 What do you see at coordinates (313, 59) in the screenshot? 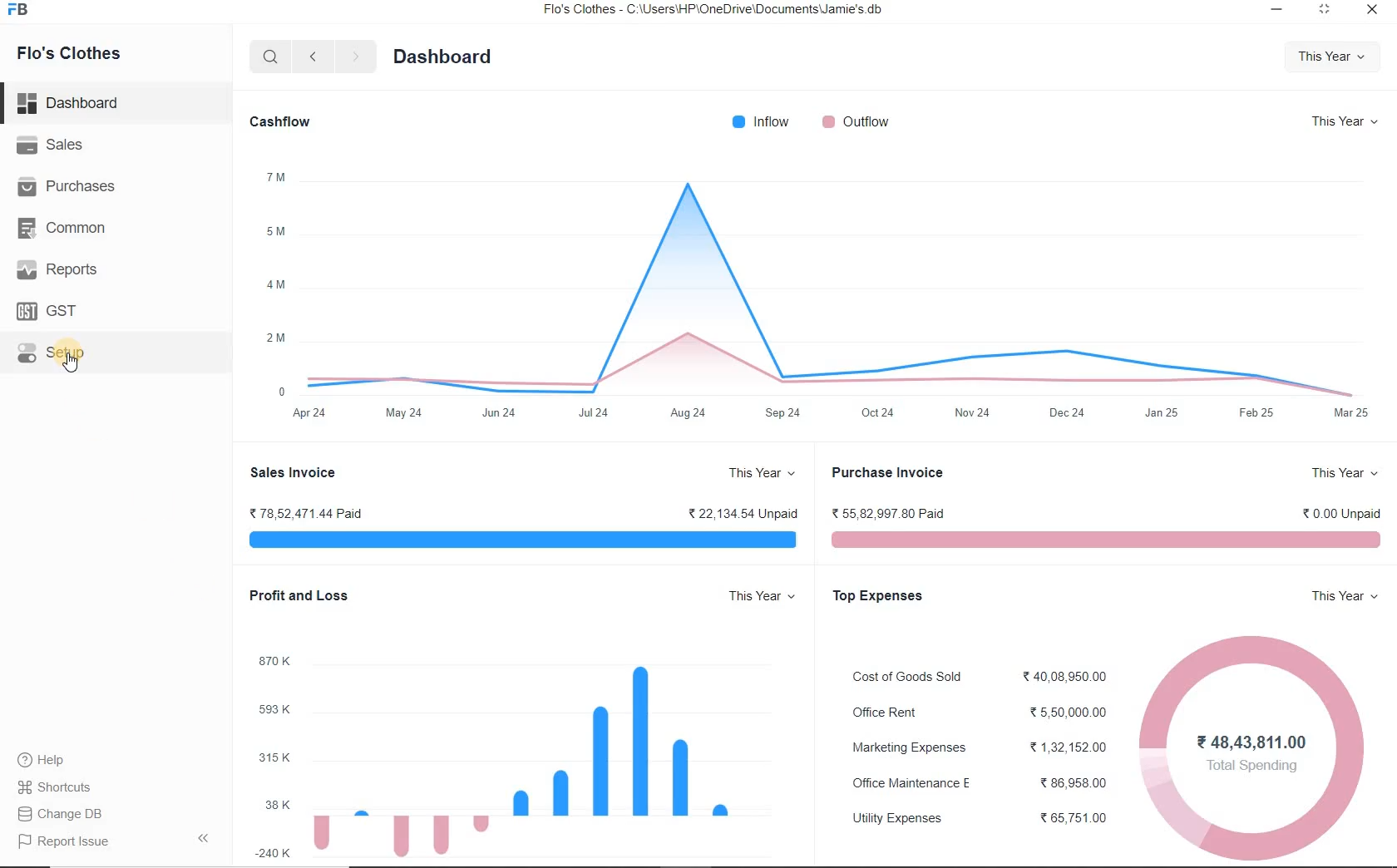
I see `previous` at bounding box center [313, 59].